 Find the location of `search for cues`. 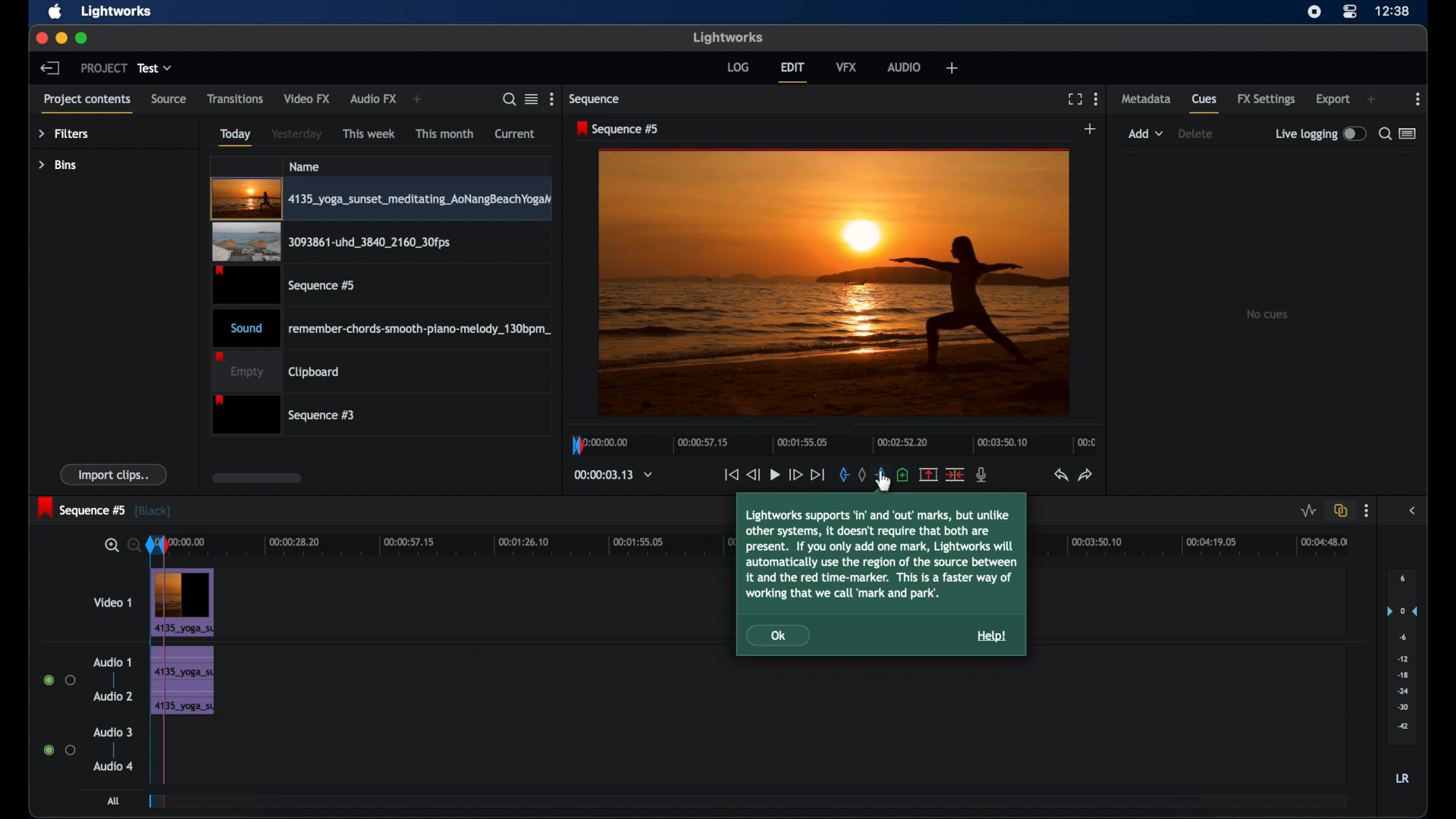

search for cues is located at coordinates (1384, 133).